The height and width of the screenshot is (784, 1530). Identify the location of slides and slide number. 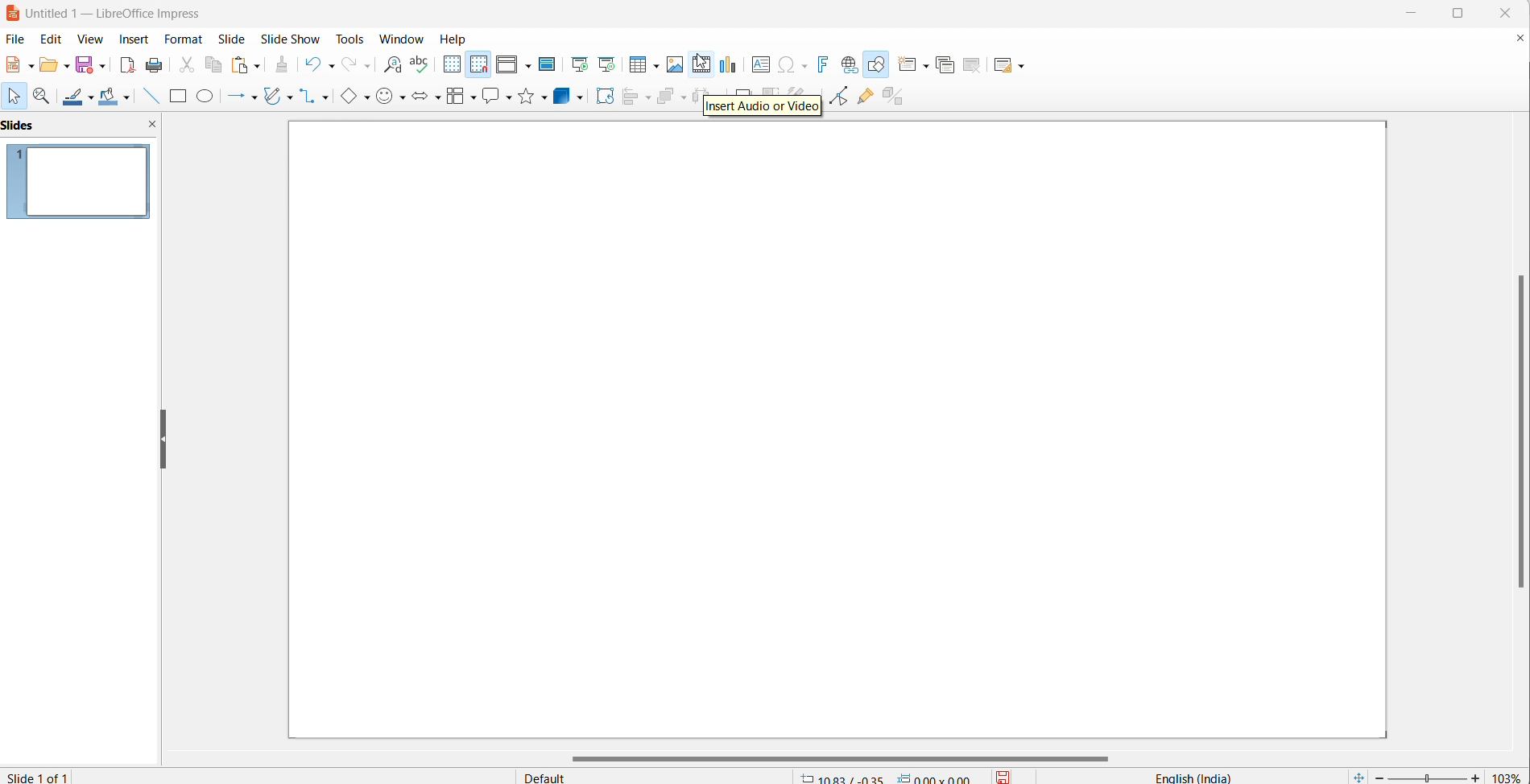
(78, 185).